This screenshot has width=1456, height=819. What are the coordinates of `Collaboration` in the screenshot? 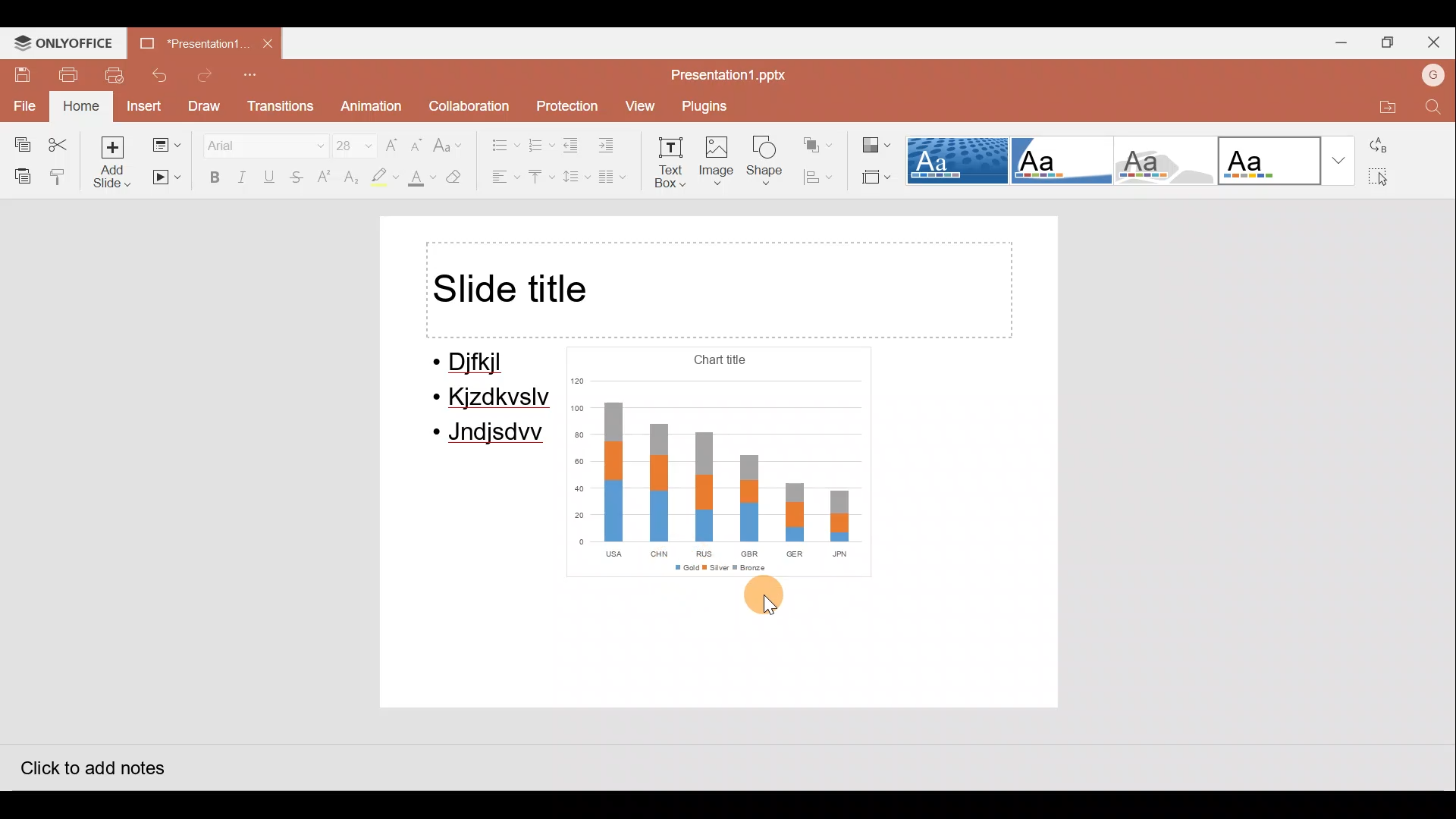 It's located at (468, 102).